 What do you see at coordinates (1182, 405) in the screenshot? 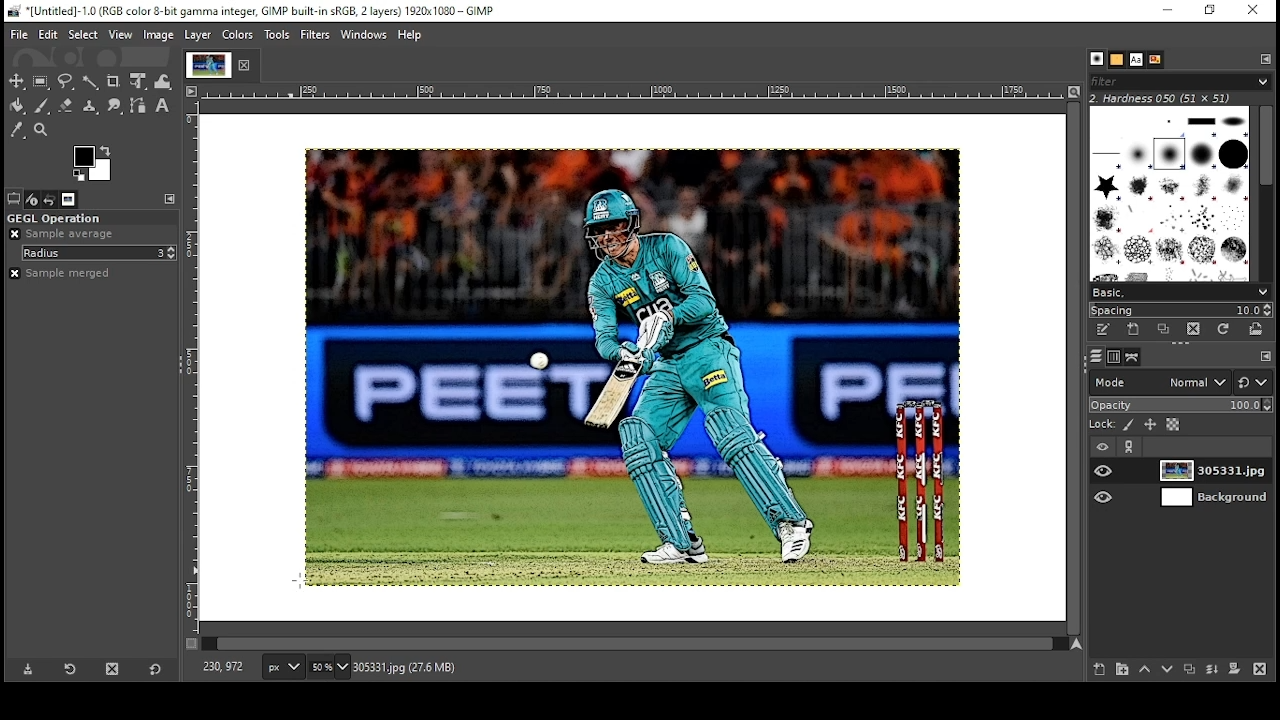
I see `opacity` at bounding box center [1182, 405].